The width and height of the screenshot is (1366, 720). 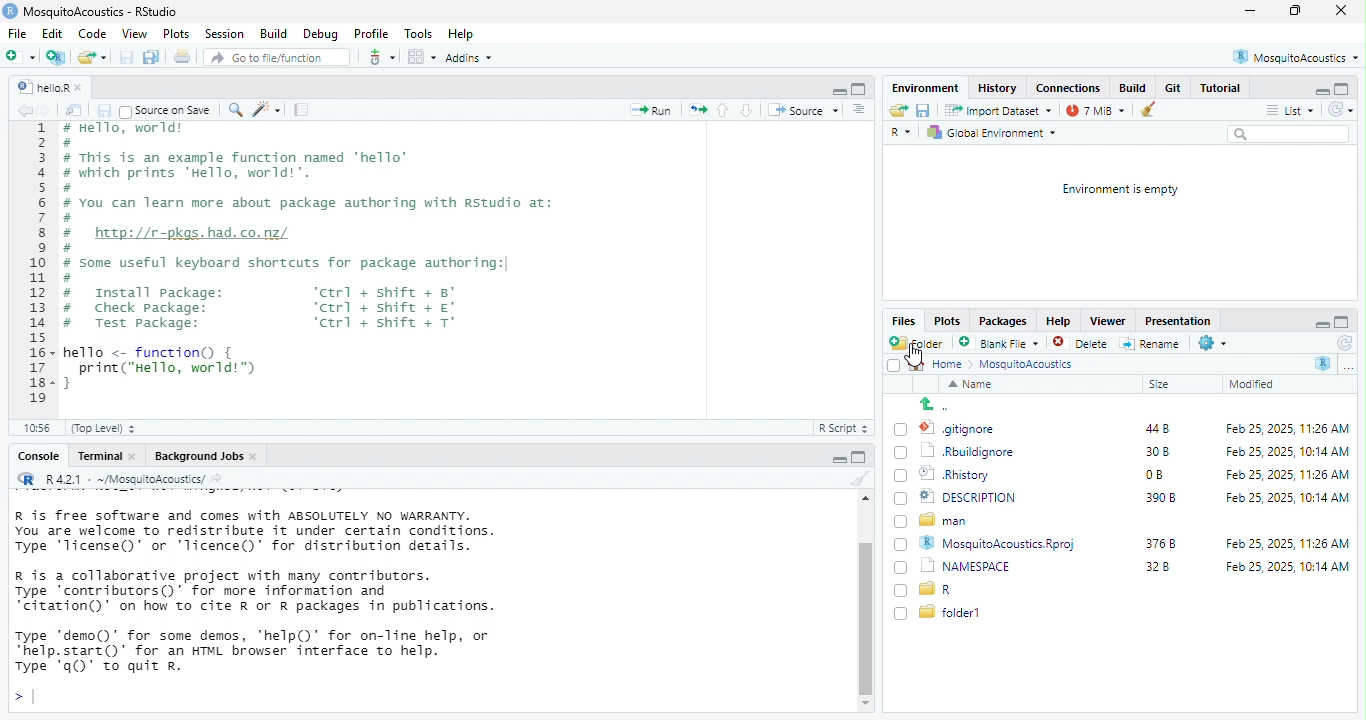 What do you see at coordinates (293, 585) in the screenshot?
I see `R is free software and comes with ABSOLUTELY NO WARRANTY.
You are welcome to redistribute it under certain conditions.
Type 'Ticense()' or 'licence()’ for distribution details.

R is a collaborative project with many contributors.

Type ‘contributors()’ for more information and

“citation()’ on how to cite R or R packages in publications.
Type ‘demo()' for some demos, ‘'help()’ for on-line help, or
“help. start()’ for an HTML browser interface to help.

Type 'q0)" to quit R.` at bounding box center [293, 585].